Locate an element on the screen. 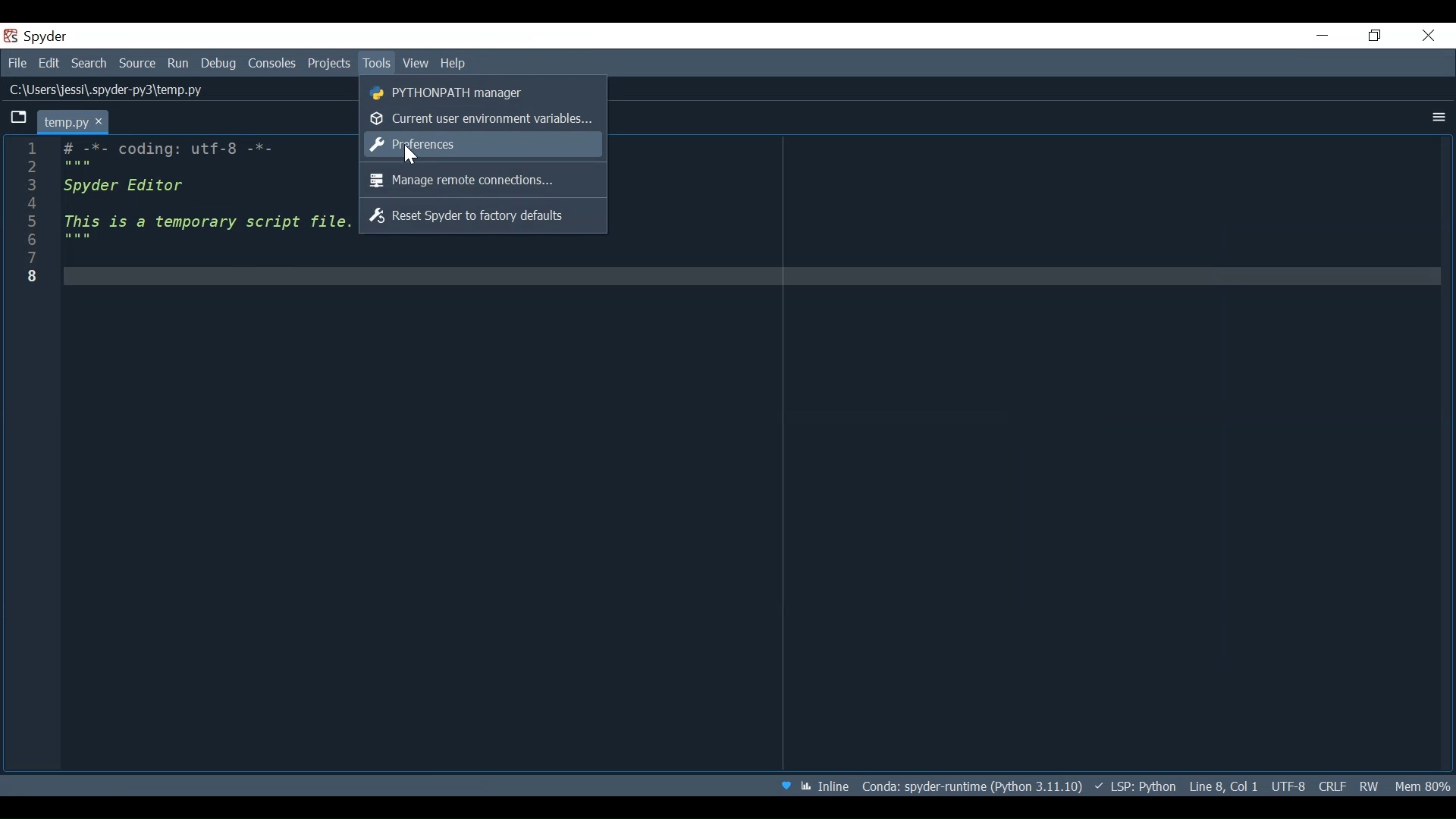 The image size is (1456, 819). Conda Environment Indicator is located at coordinates (997, 785).